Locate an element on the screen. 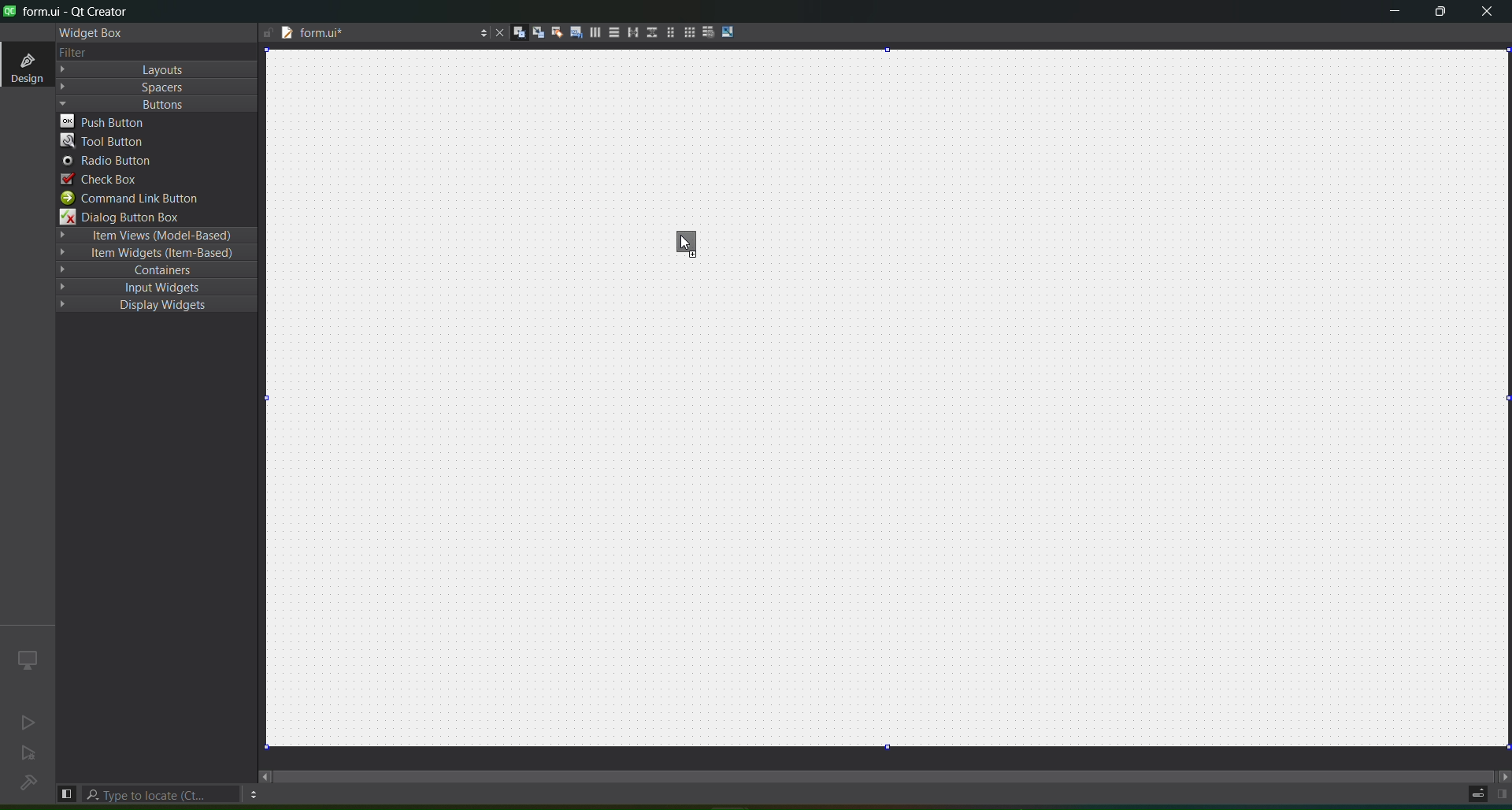 Image resolution: width=1512 pixels, height=810 pixels. minimize is located at coordinates (1395, 13).